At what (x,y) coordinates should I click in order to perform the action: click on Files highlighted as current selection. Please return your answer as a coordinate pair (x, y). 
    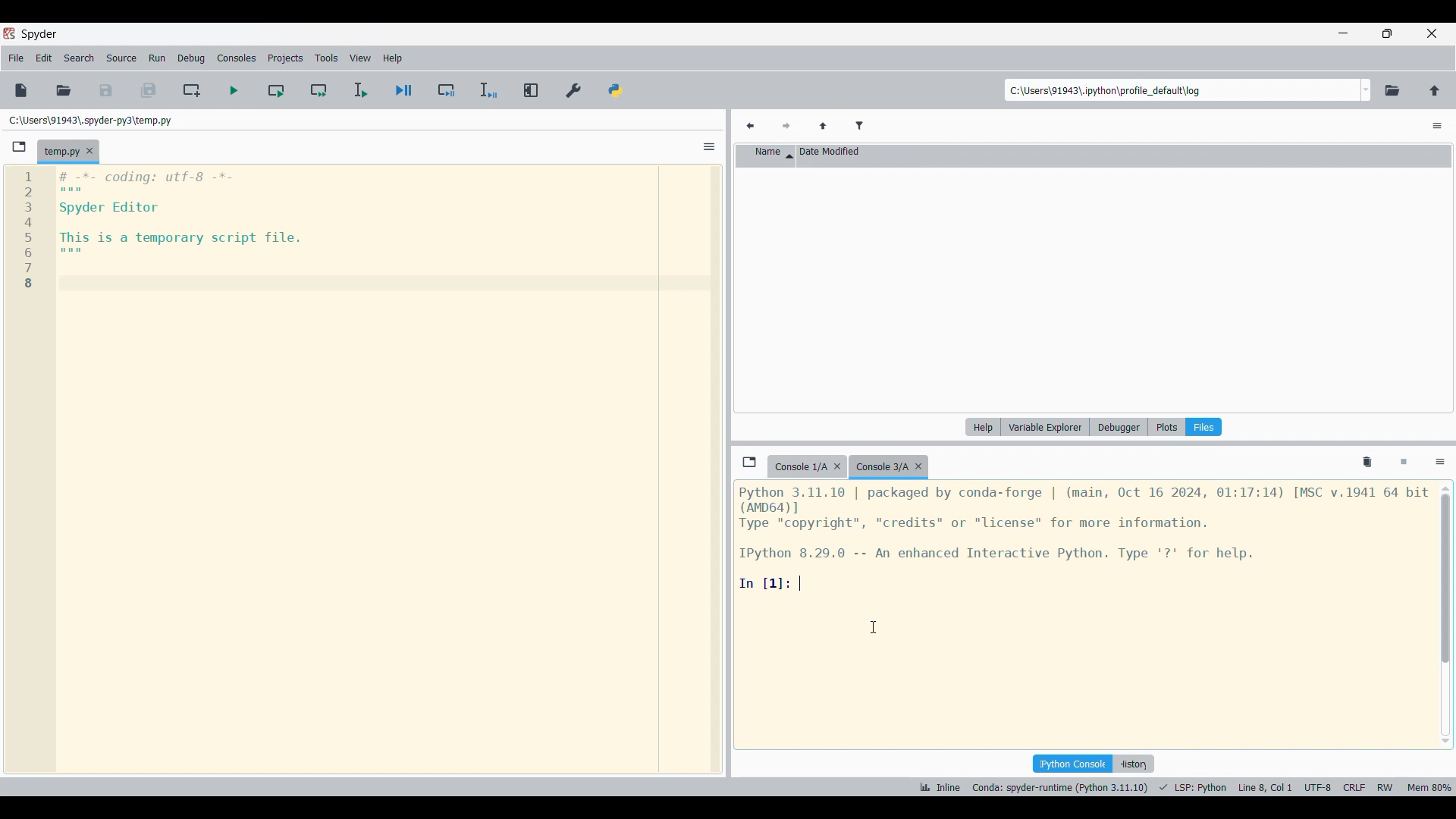
    Looking at the image, I should click on (1203, 427).